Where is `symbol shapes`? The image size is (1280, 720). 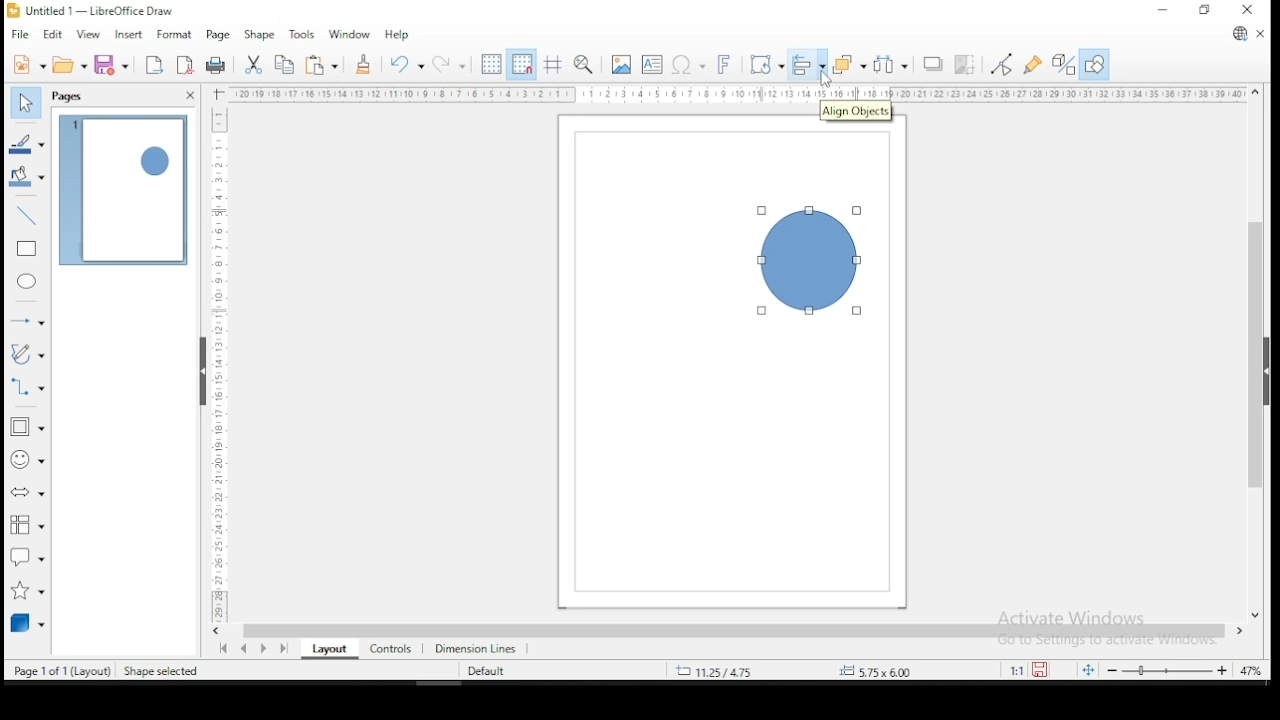 symbol shapes is located at coordinates (27, 459).